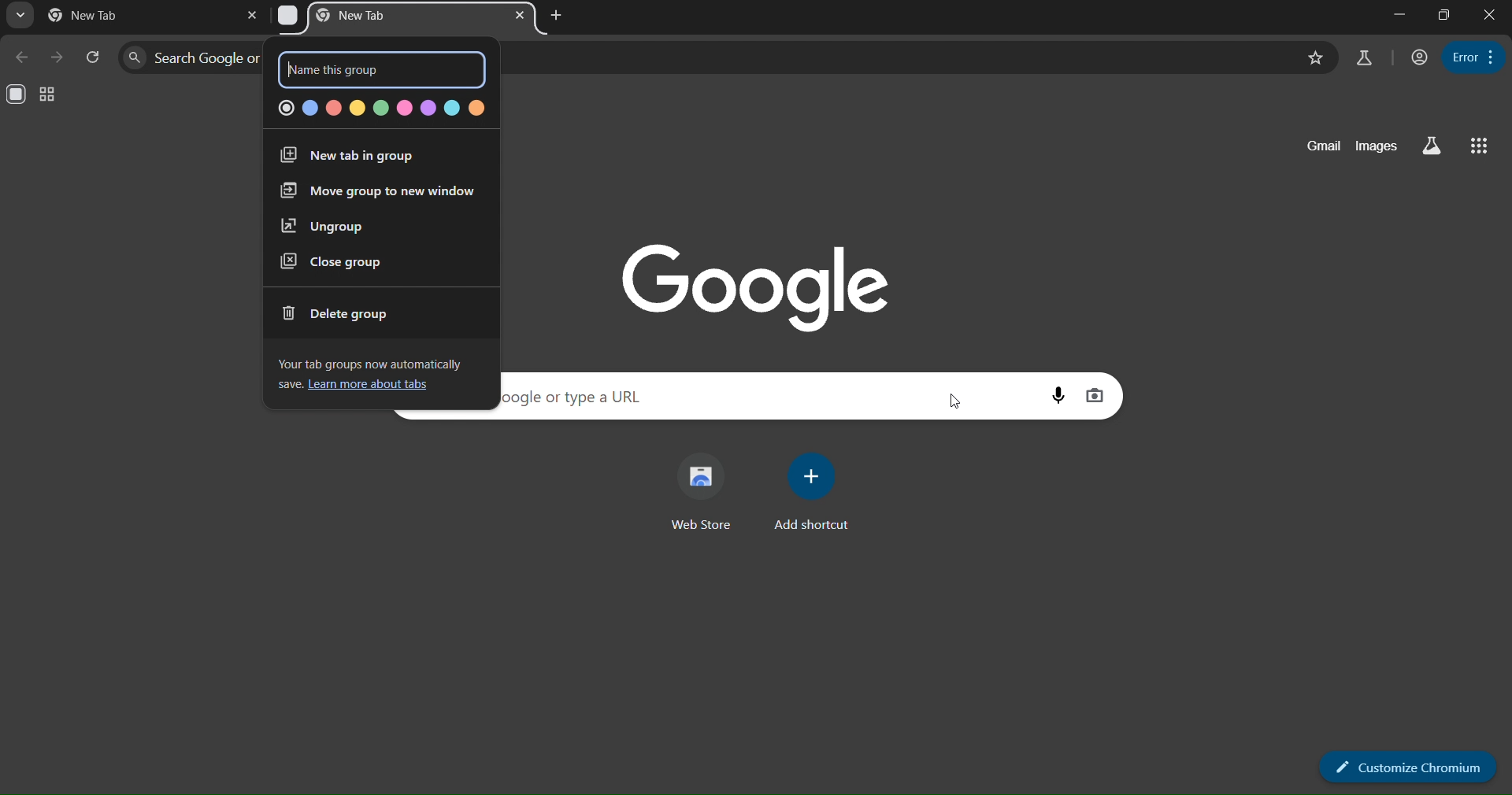 The image size is (1512, 795). Describe the element at coordinates (339, 315) in the screenshot. I see `delete group` at that location.